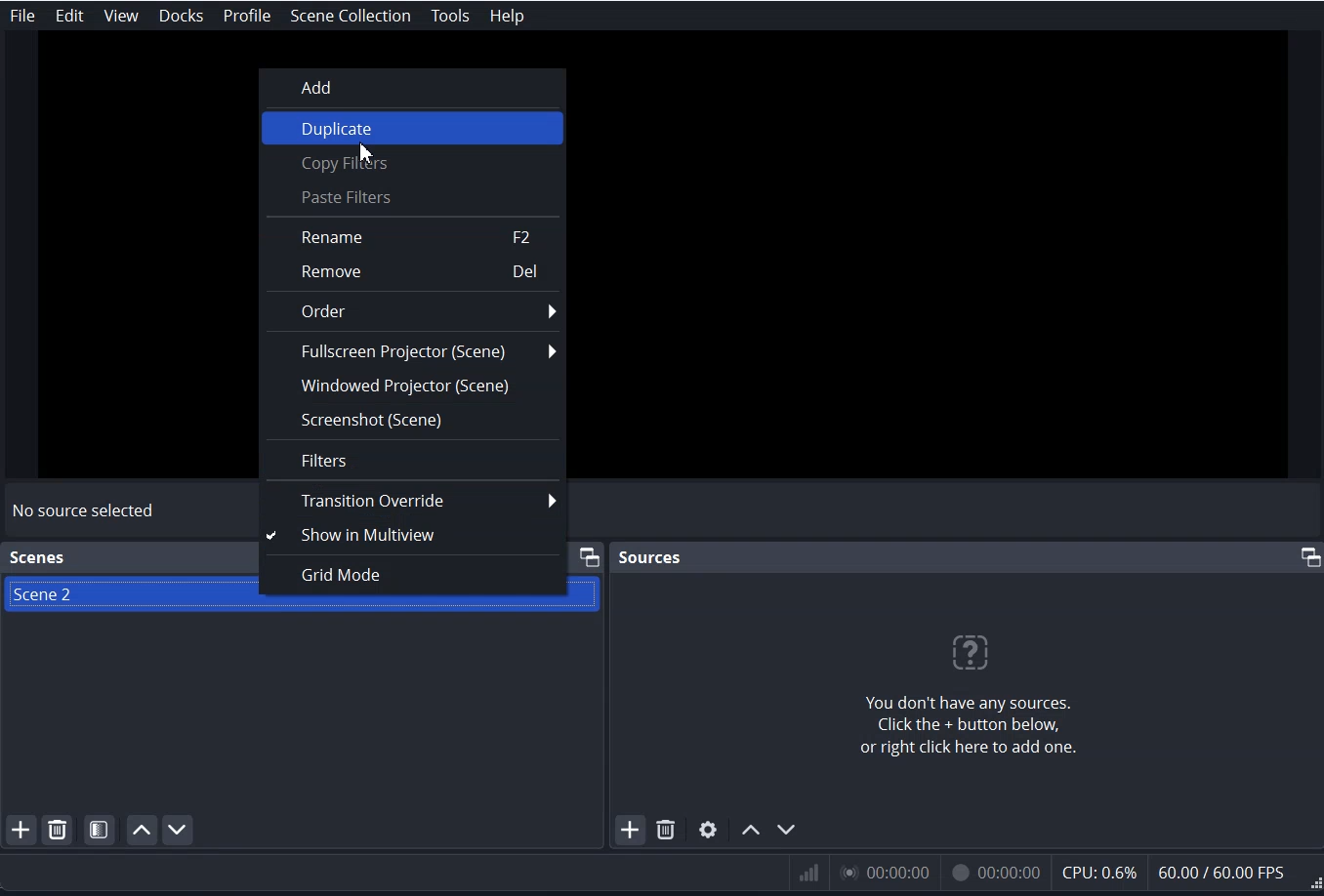 The width and height of the screenshot is (1324, 896). Describe the element at coordinates (413, 310) in the screenshot. I see `Order` at that location.